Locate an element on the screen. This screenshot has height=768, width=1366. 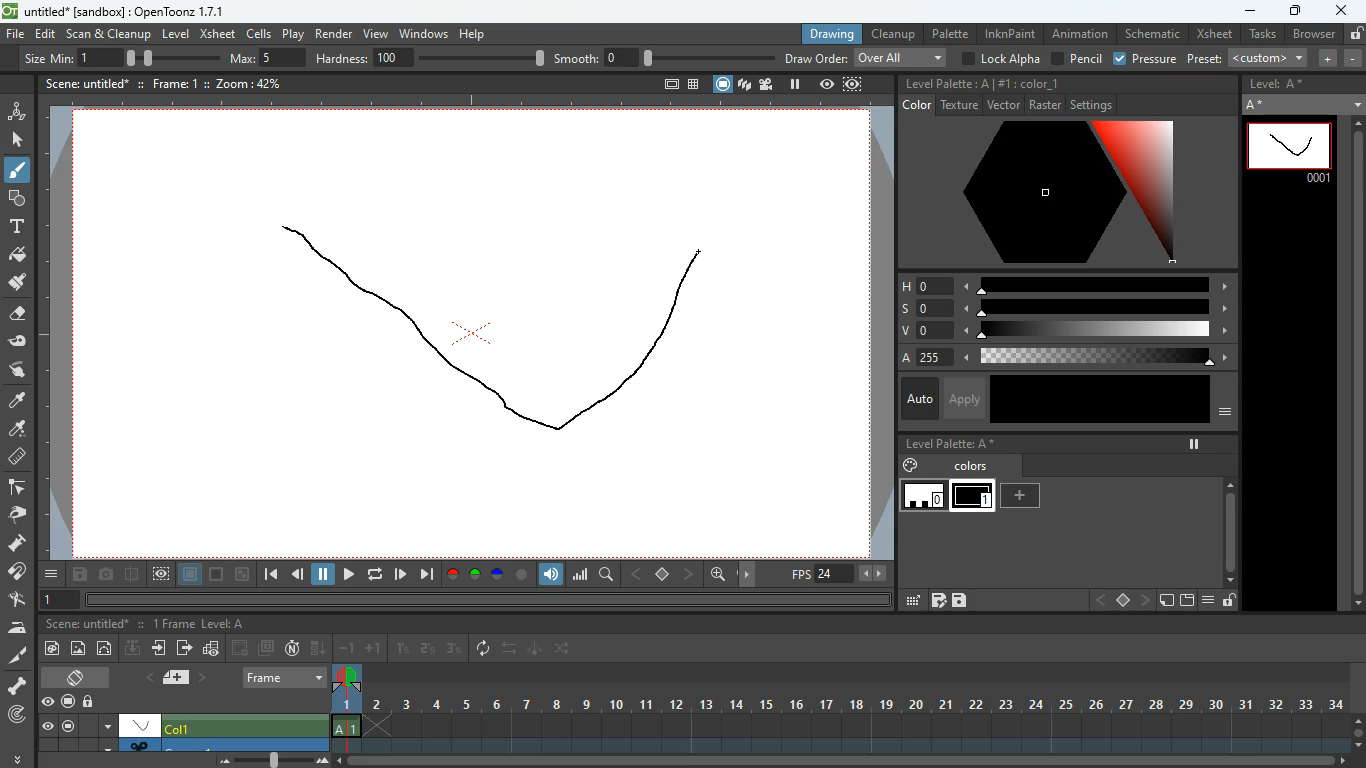
play is located at coordinates (348, 576).